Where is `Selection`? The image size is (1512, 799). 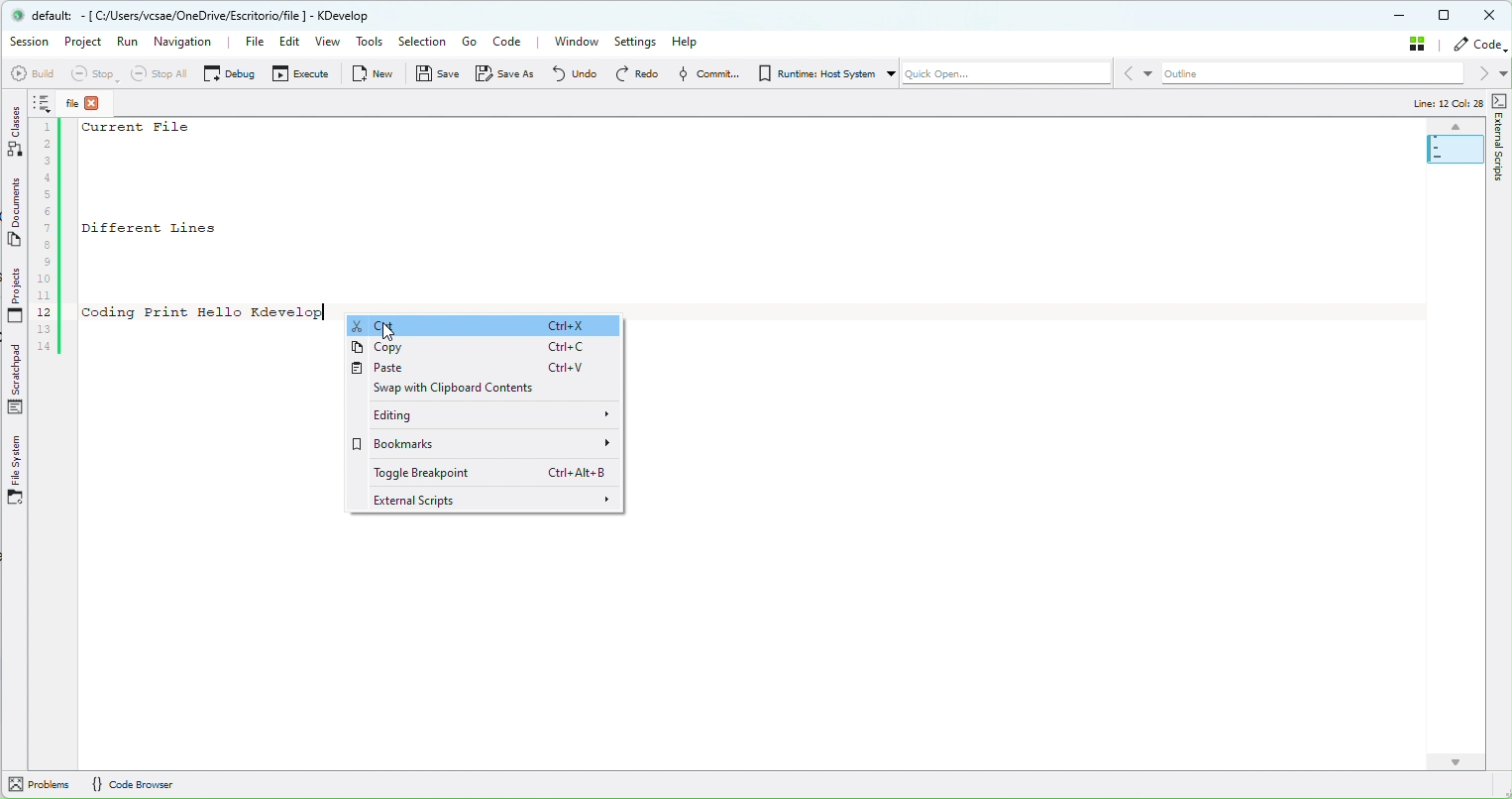
Selection is located at coordinates (424, 41).